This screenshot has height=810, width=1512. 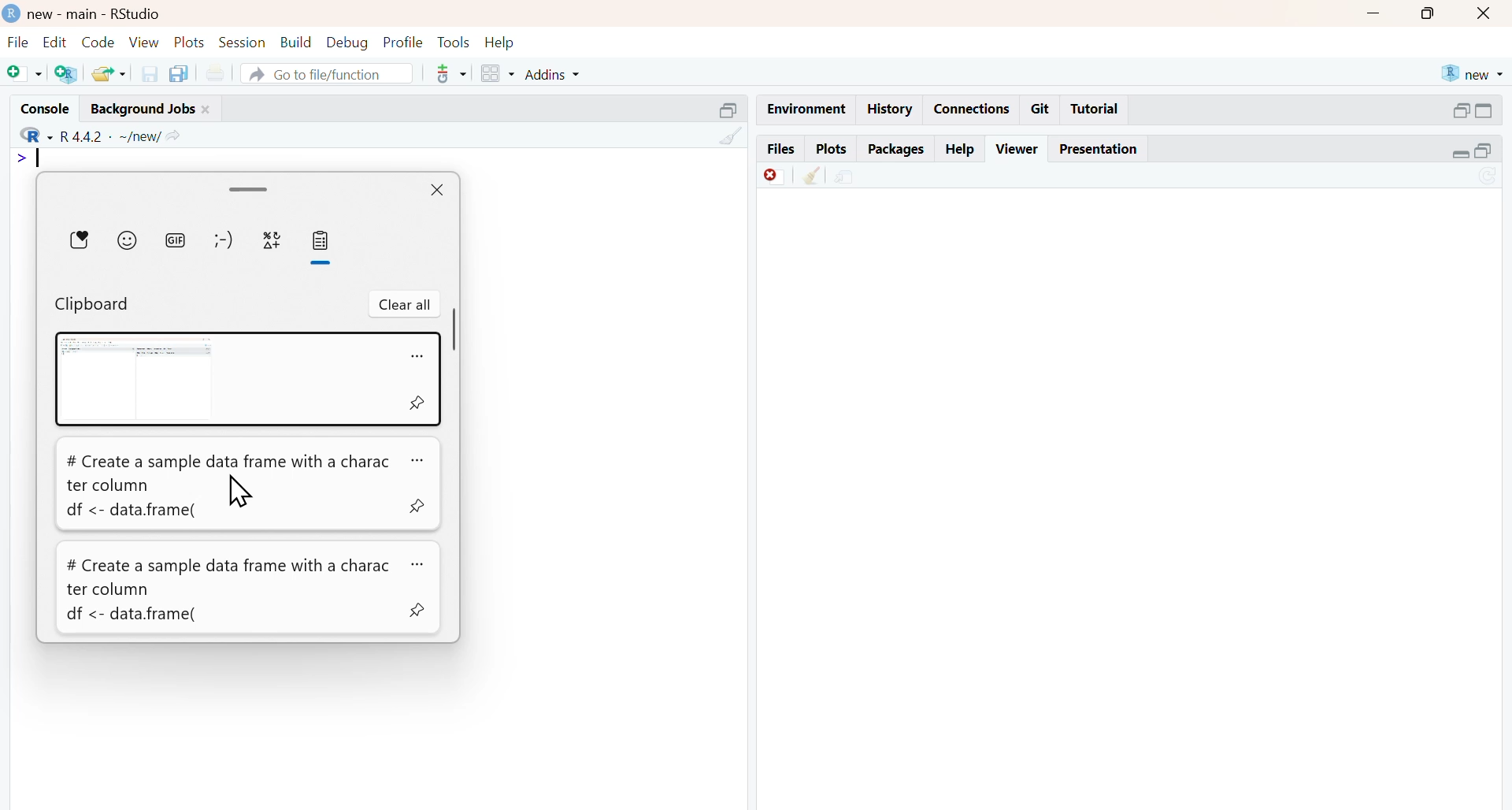 What do you see at coordinates (96, 14) in the screenshot?
I see `new - main - RStudio` at bounding box center [96, 14].